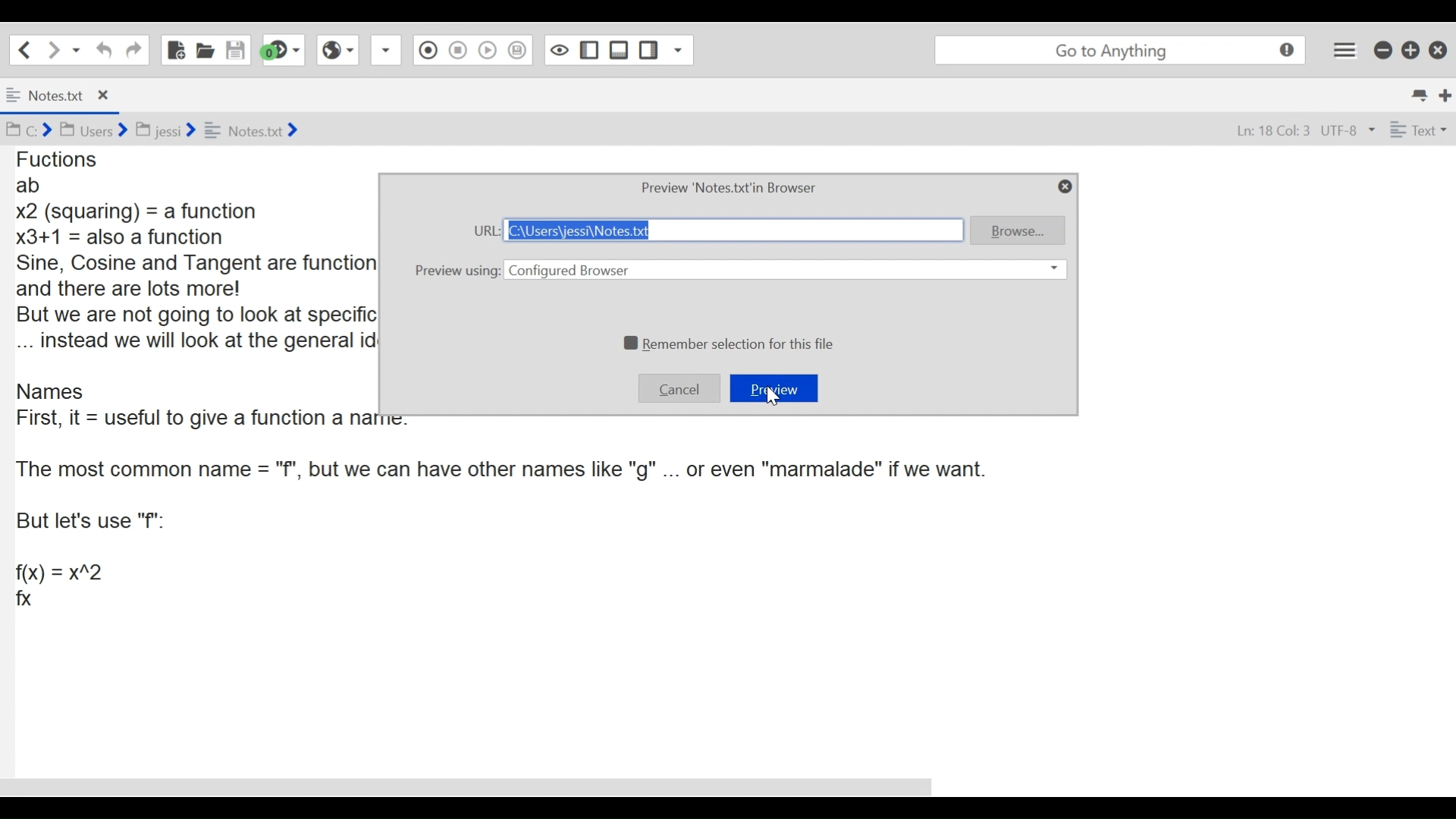 The width and height of the screenshot is (1456, 819). What do you see at coordinates (206, 49) in the screenshot?
I see `Open file` at bounding box center [206, 49].